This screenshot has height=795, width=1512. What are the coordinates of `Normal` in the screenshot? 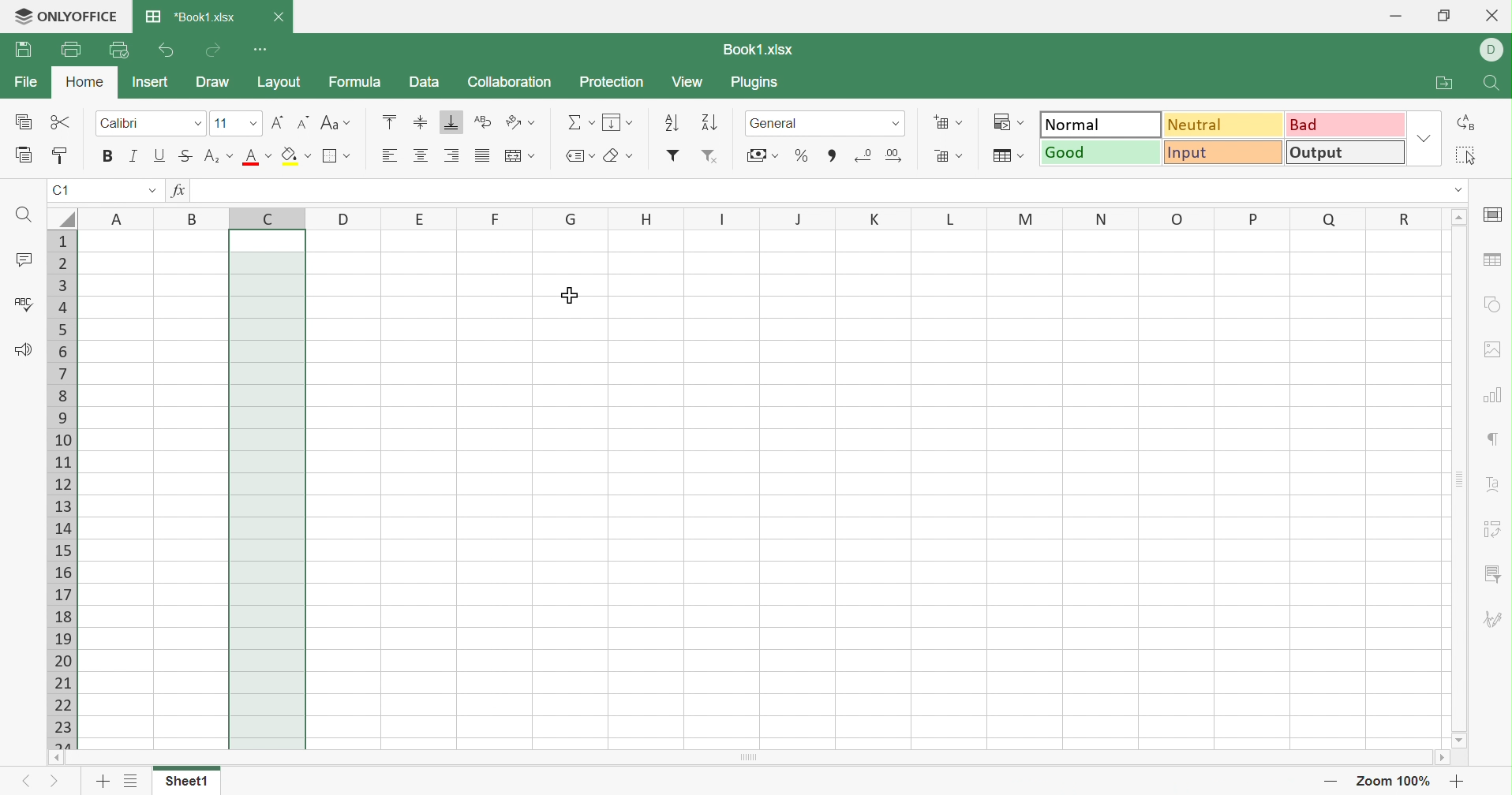 It's located at (1100, 124).